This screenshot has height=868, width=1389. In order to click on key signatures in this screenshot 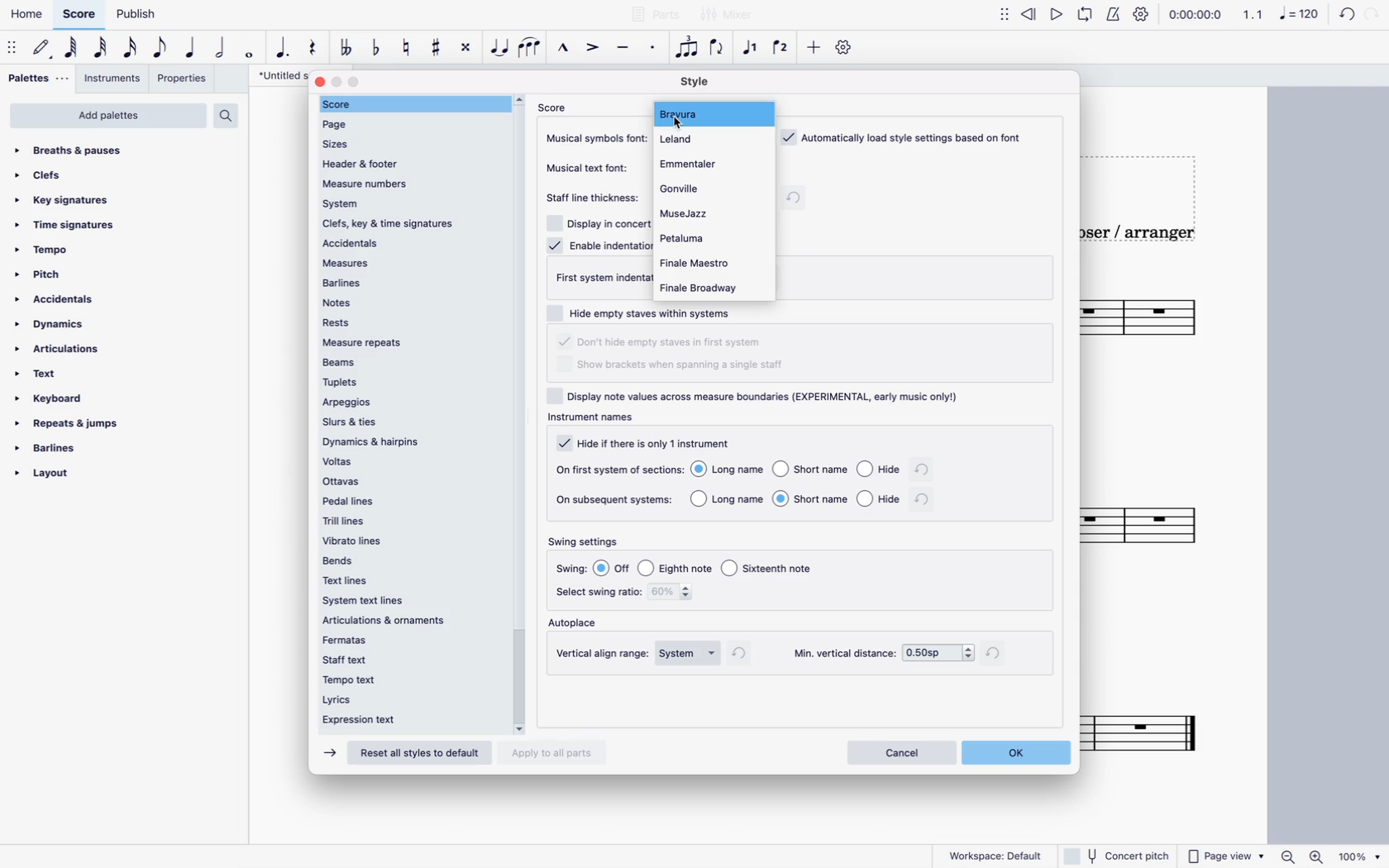, I will do `click(64, 199)`.